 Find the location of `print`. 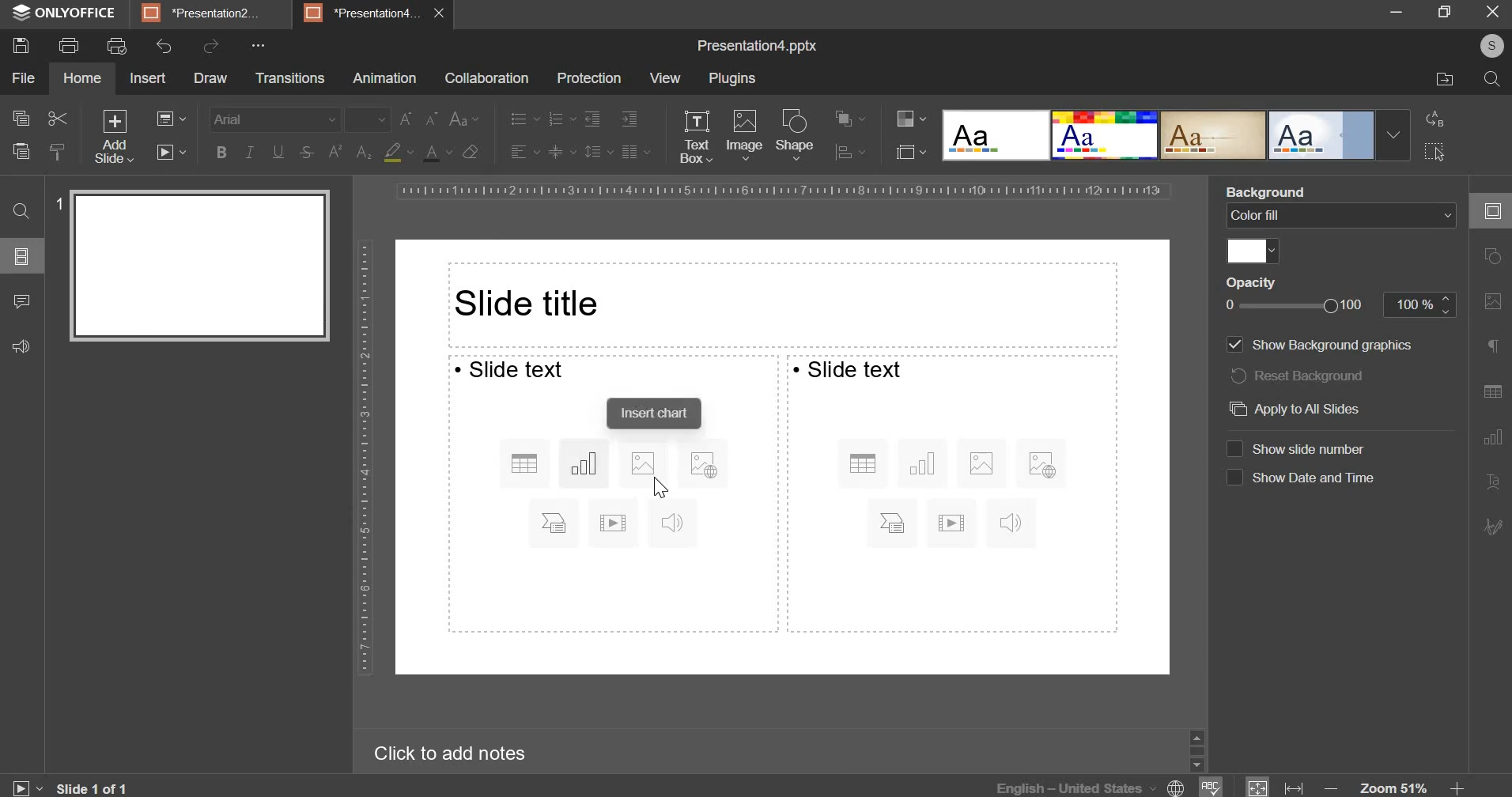

print is located at coordinates (67, 46).